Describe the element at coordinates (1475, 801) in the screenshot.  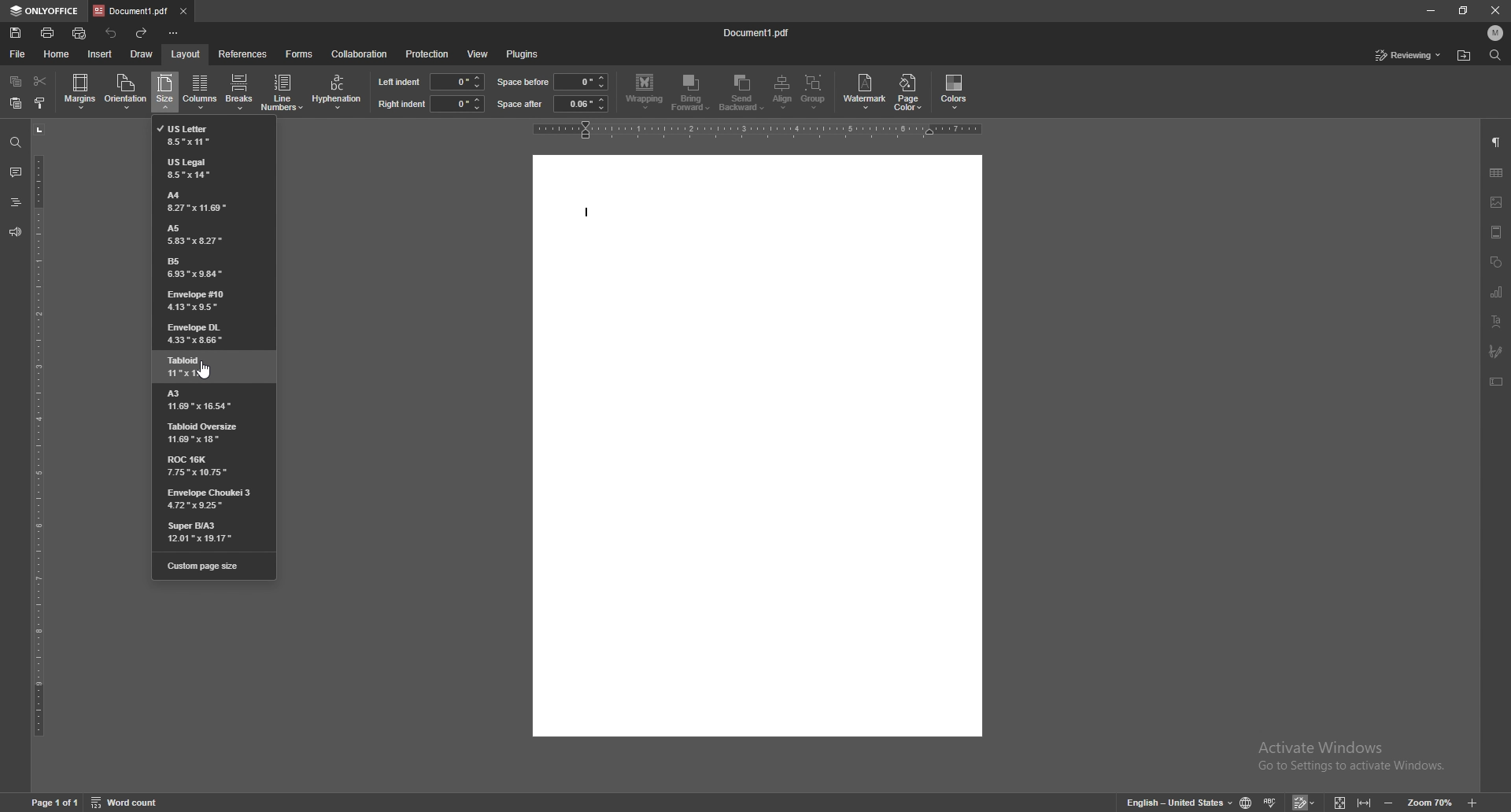
I see `zoom in` at that location.